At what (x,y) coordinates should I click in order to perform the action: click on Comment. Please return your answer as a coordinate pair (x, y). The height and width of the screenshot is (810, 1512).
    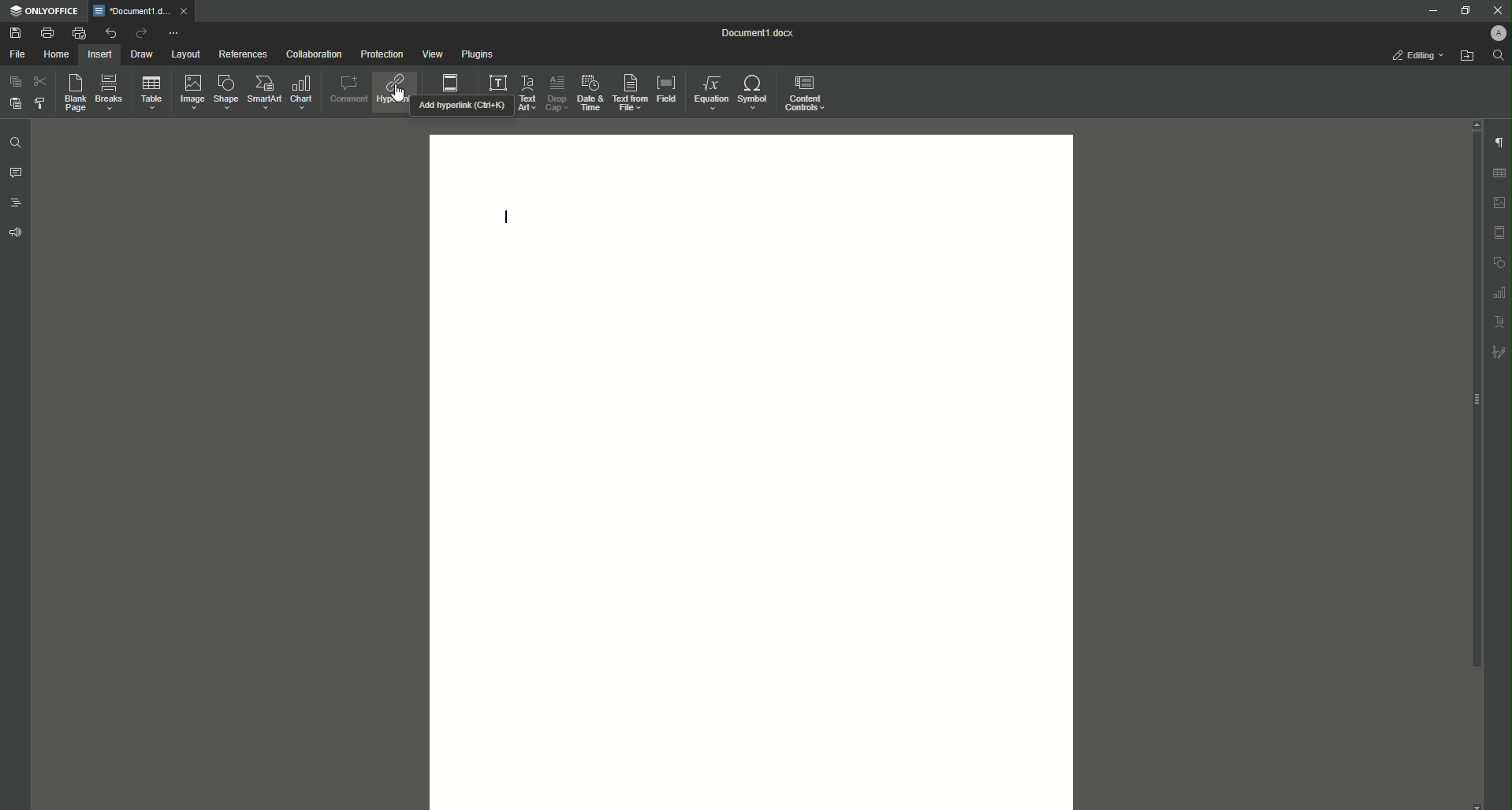
    Looking at the image, I should click on (346, 91).